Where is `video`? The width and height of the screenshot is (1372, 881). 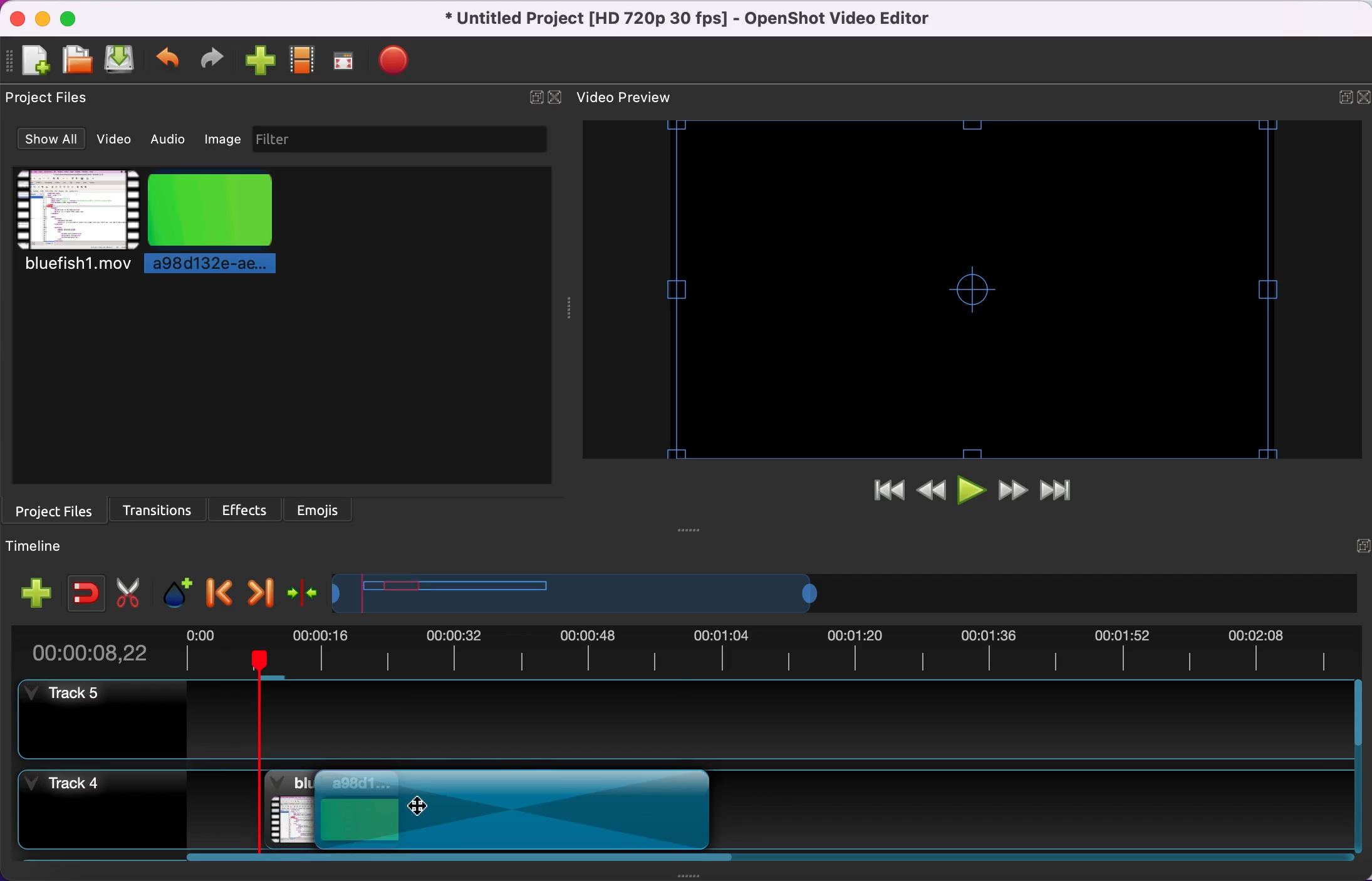
video is located at coordinates (118, 141).